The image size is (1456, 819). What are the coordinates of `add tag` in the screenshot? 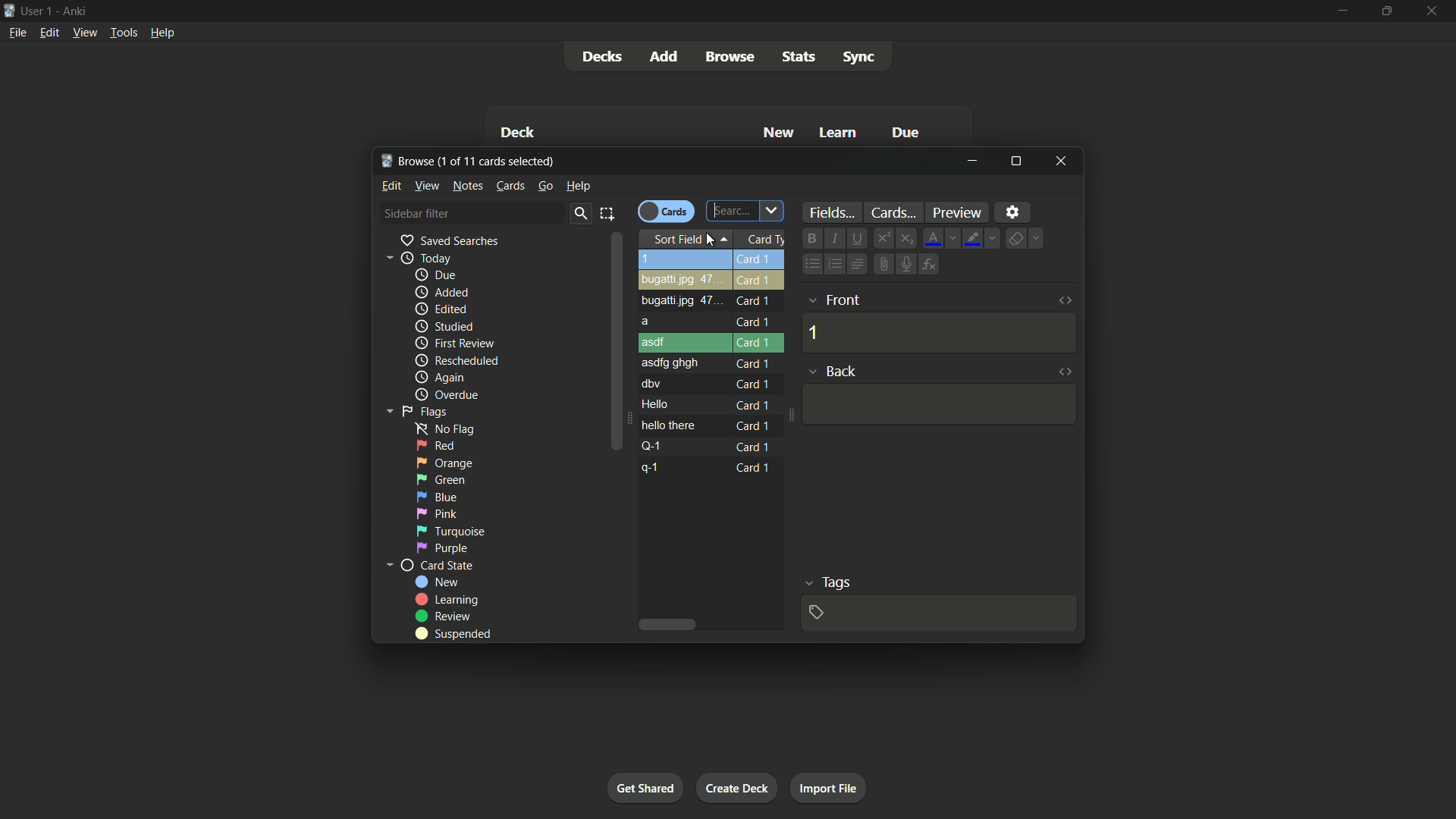 It's located at (817, 612).